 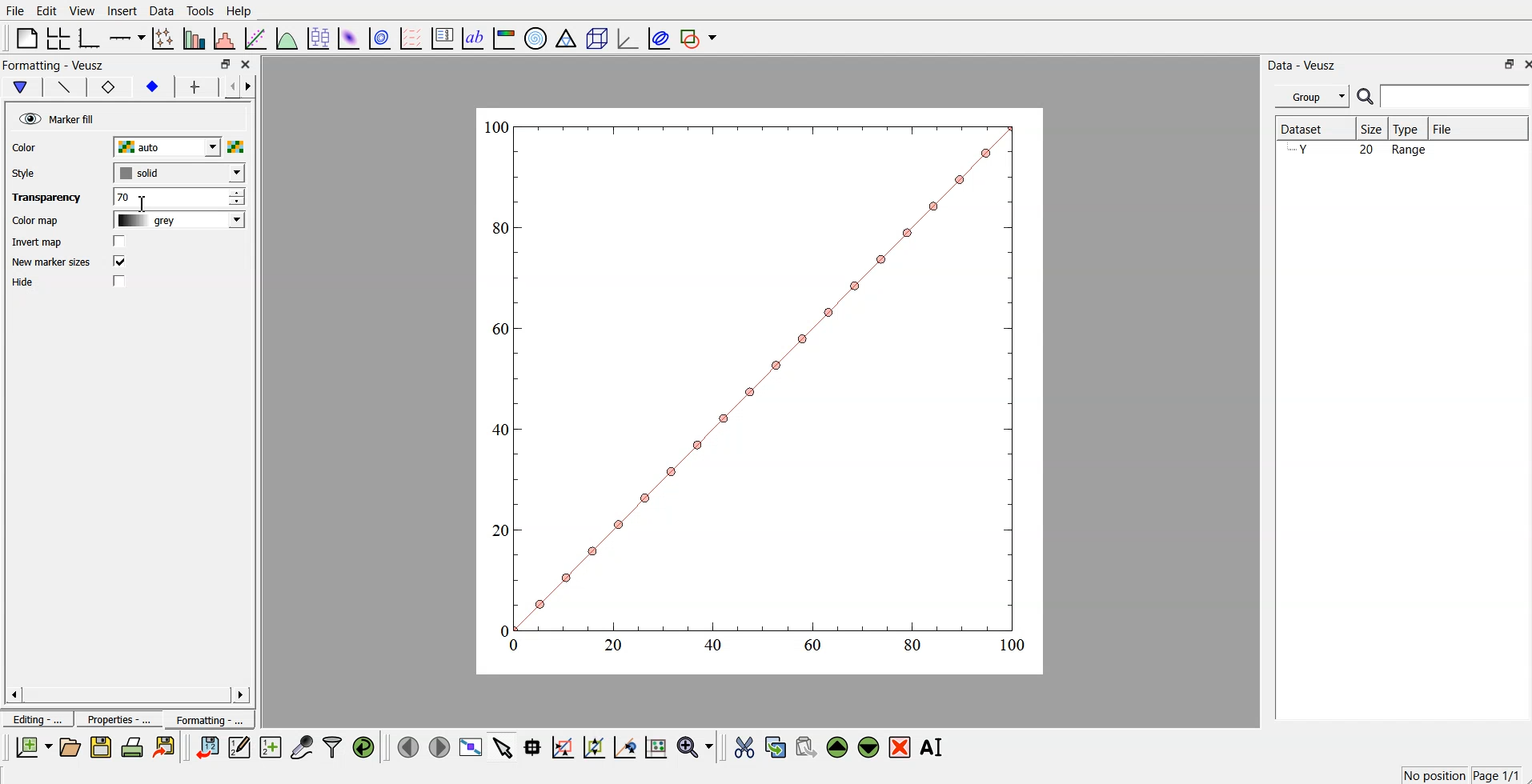 What do you see at coordinates (42, 198) in the screenshot?
I see `Transparency` at bounding box center [42, 198].